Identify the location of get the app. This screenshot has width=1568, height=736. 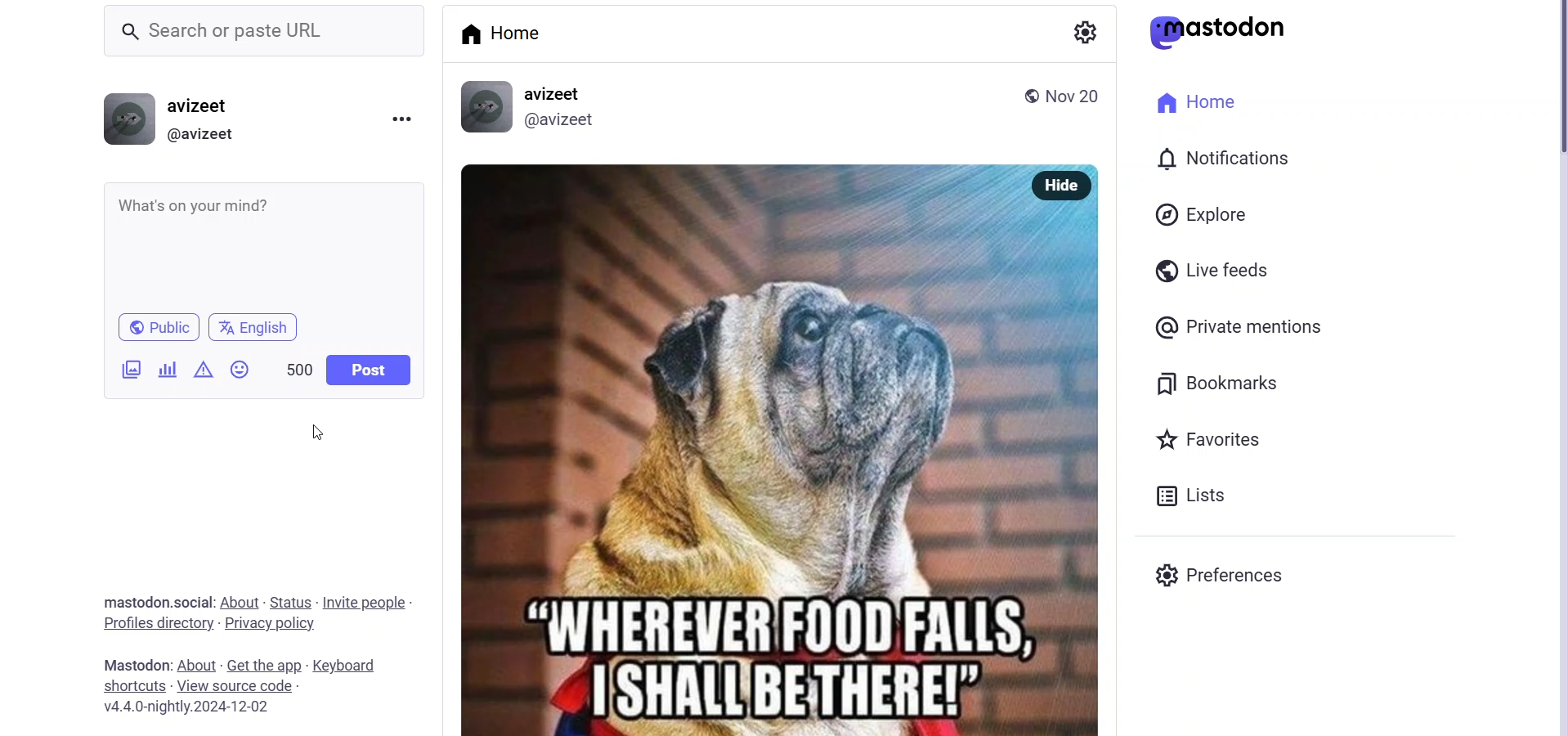
(263, 664).